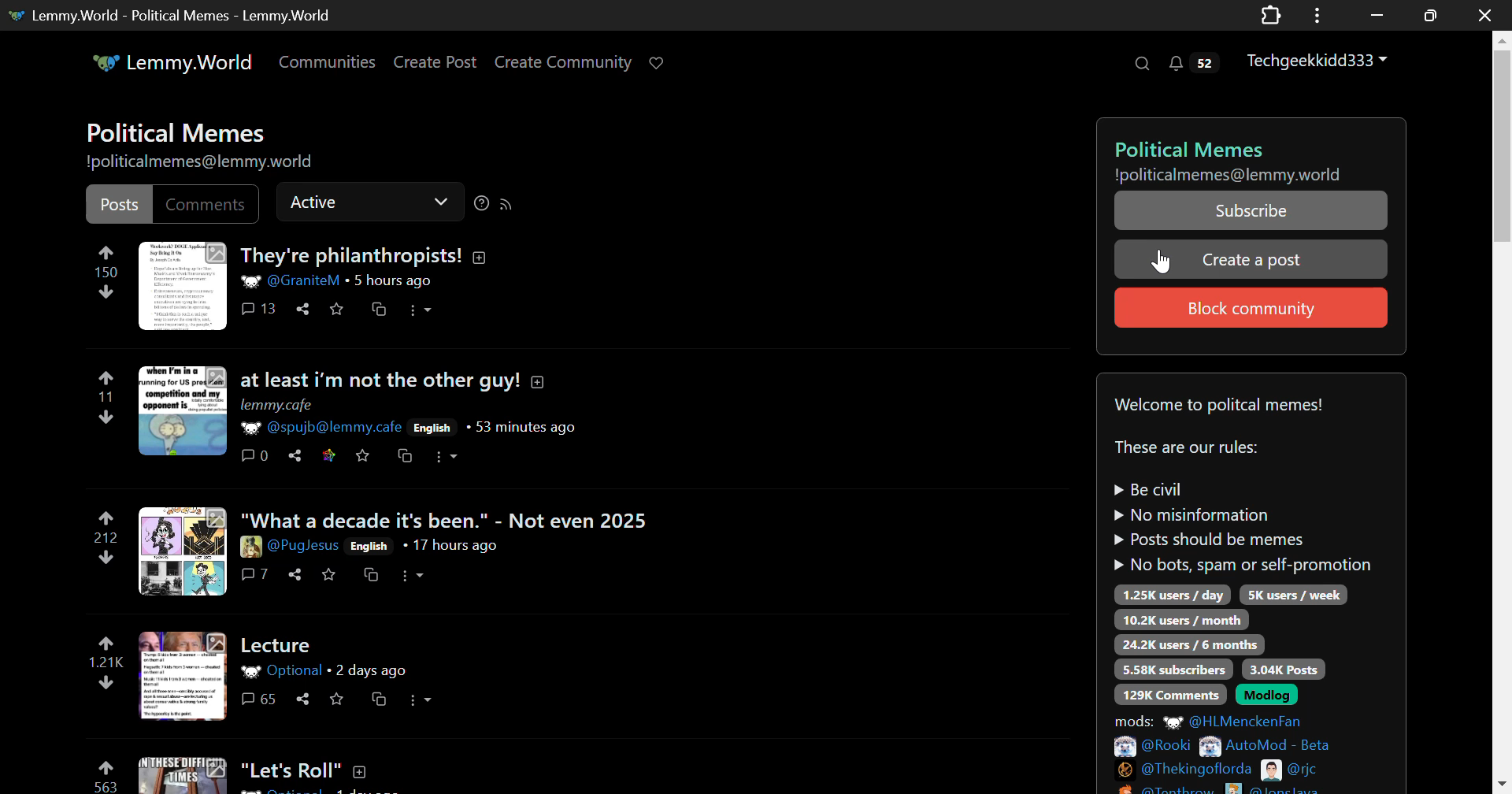 Image resolution: width=1512 pixels, height=794 pixels. I want to click on !politicalmemes@lemmy.world, so click(1225, 176).